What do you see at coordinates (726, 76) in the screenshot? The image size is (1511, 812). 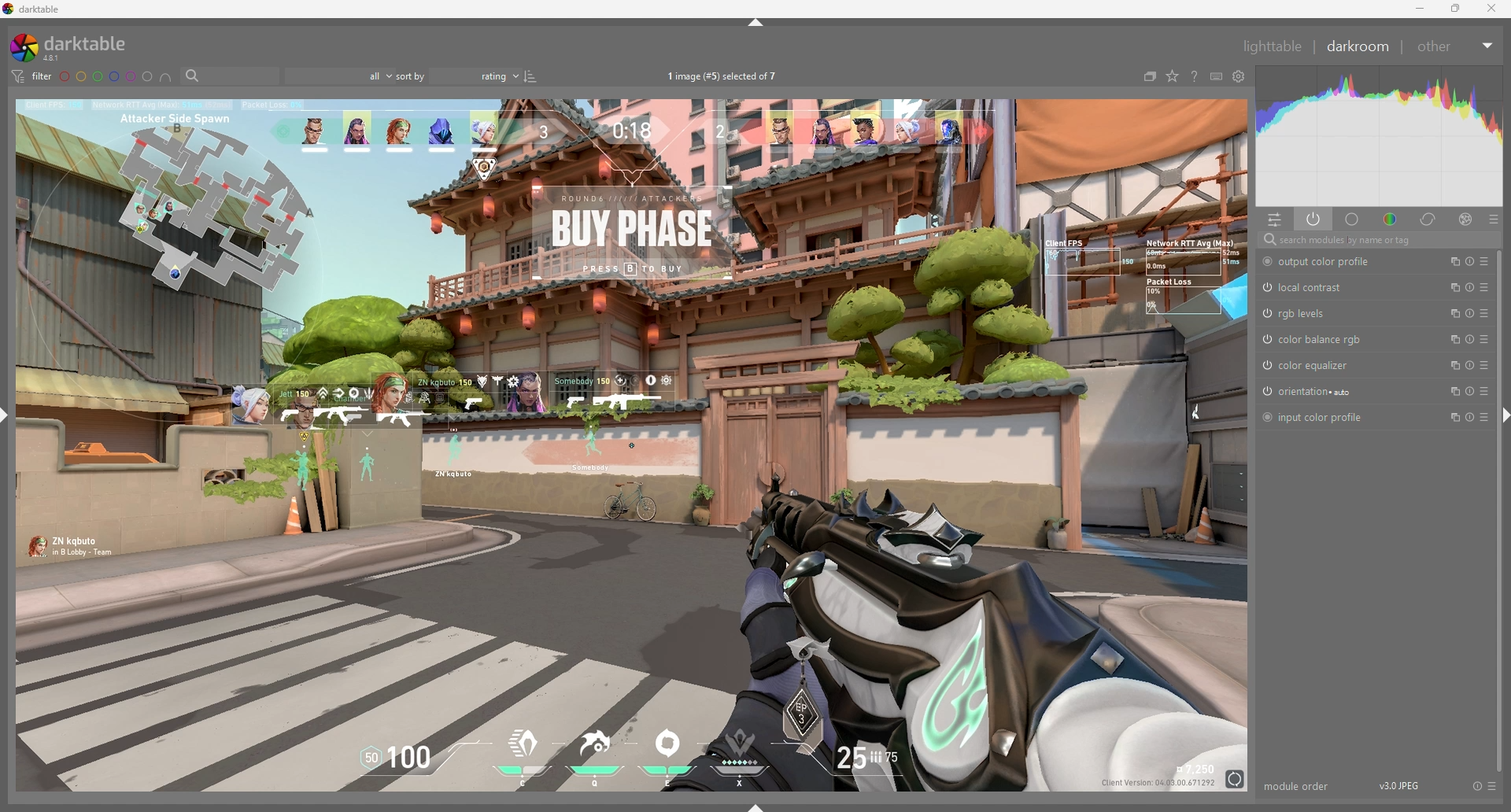 I see `images selected` at bounding box center [726, 76].